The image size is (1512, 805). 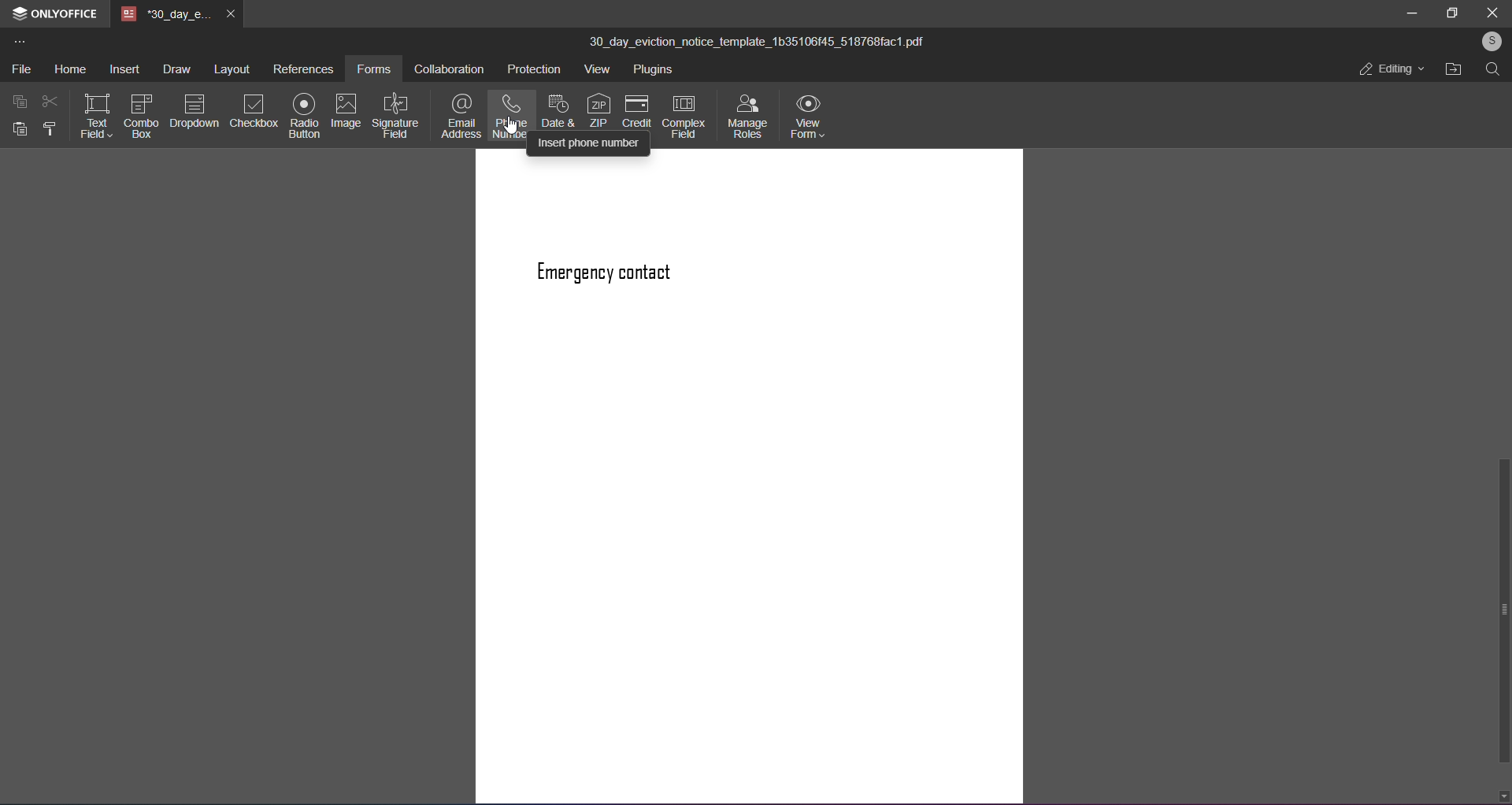 What do you see at coordinates (20, 102) in the screenshot?
I see `copy` at bounding box center [20, 102].